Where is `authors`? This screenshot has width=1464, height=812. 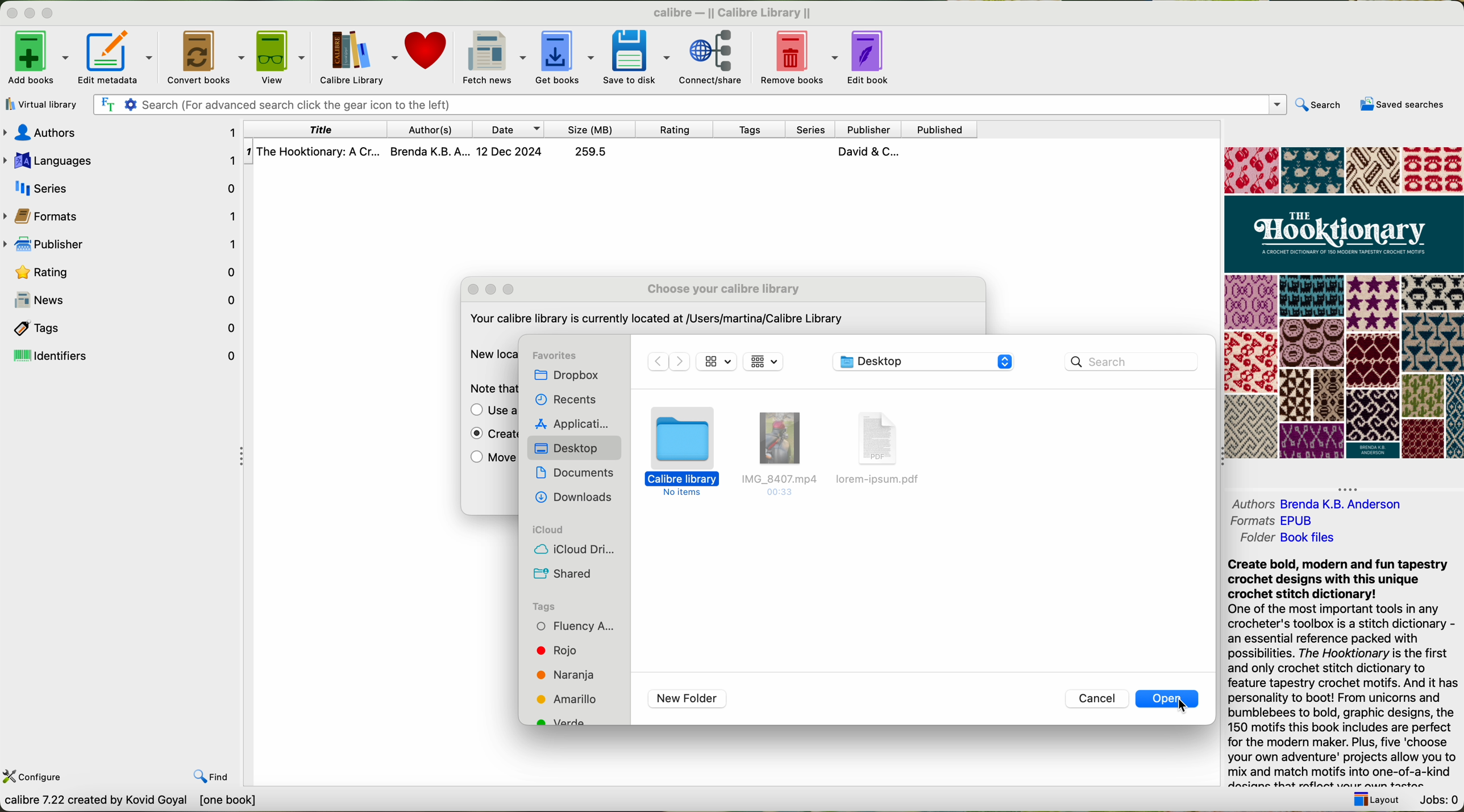
authors is located at coordinates (429, 128).